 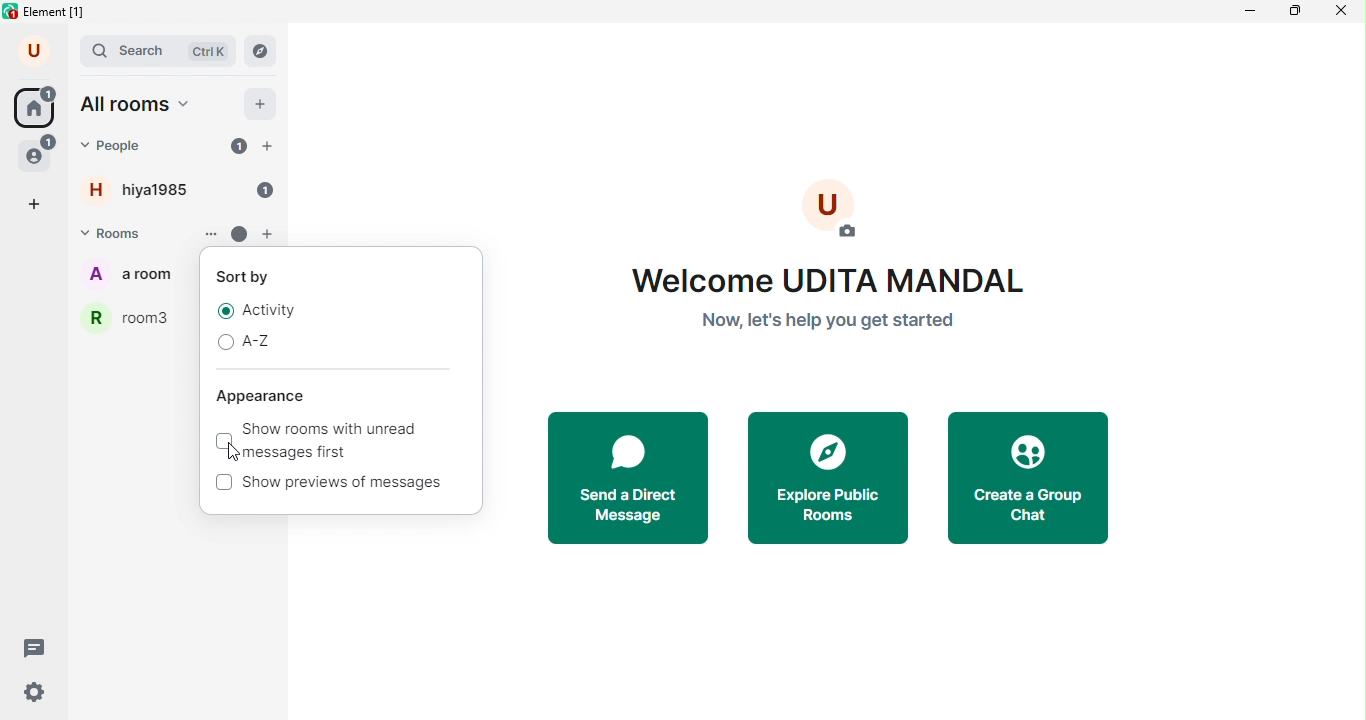 What do you see at coordinates (1252, 11) in the screenshot?
I see `minimize` at bounding box center [1252, 11].